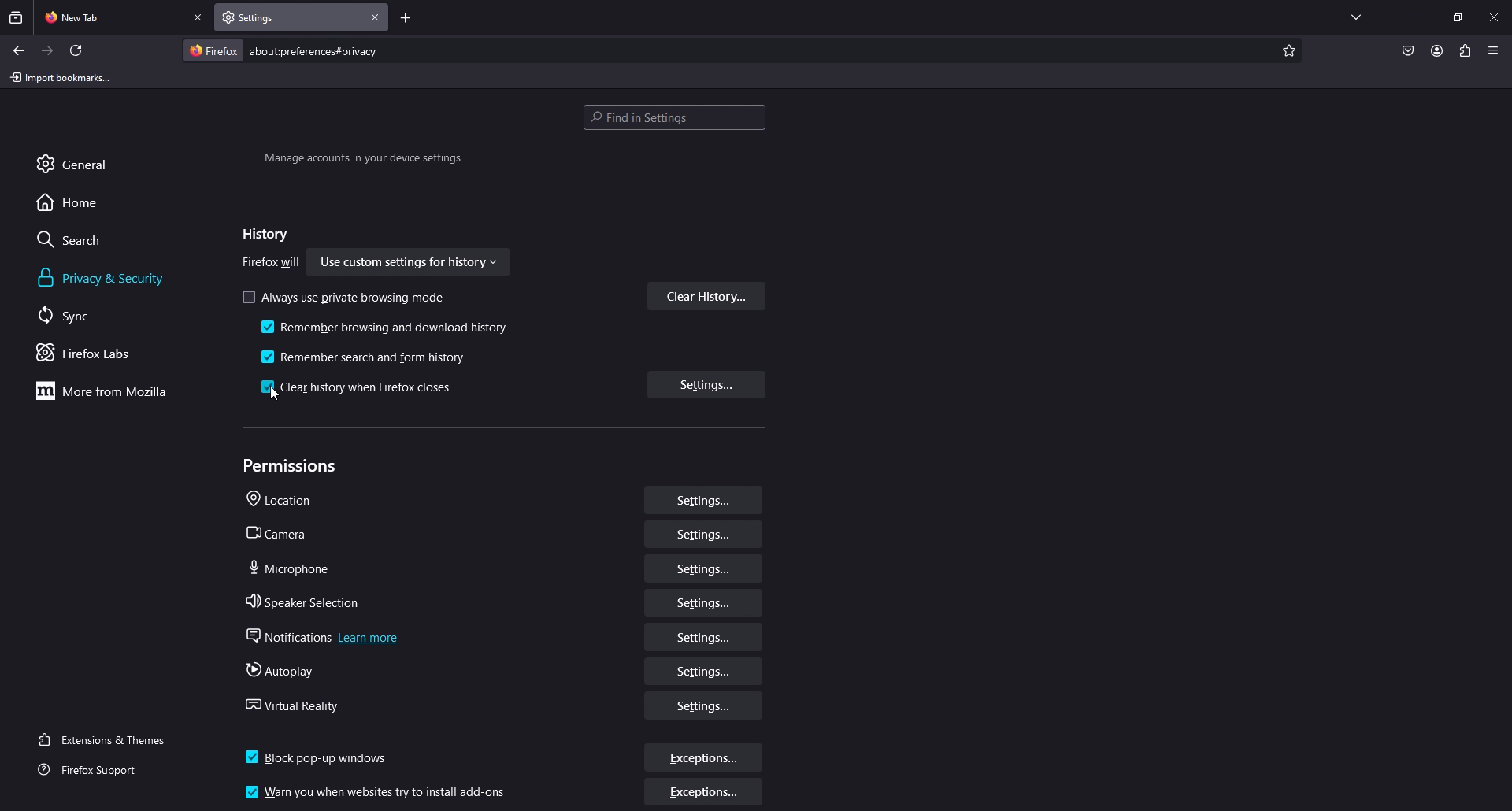 This screenshot has width=1512, height=811. I want to click on add tab, so click(406, 20).